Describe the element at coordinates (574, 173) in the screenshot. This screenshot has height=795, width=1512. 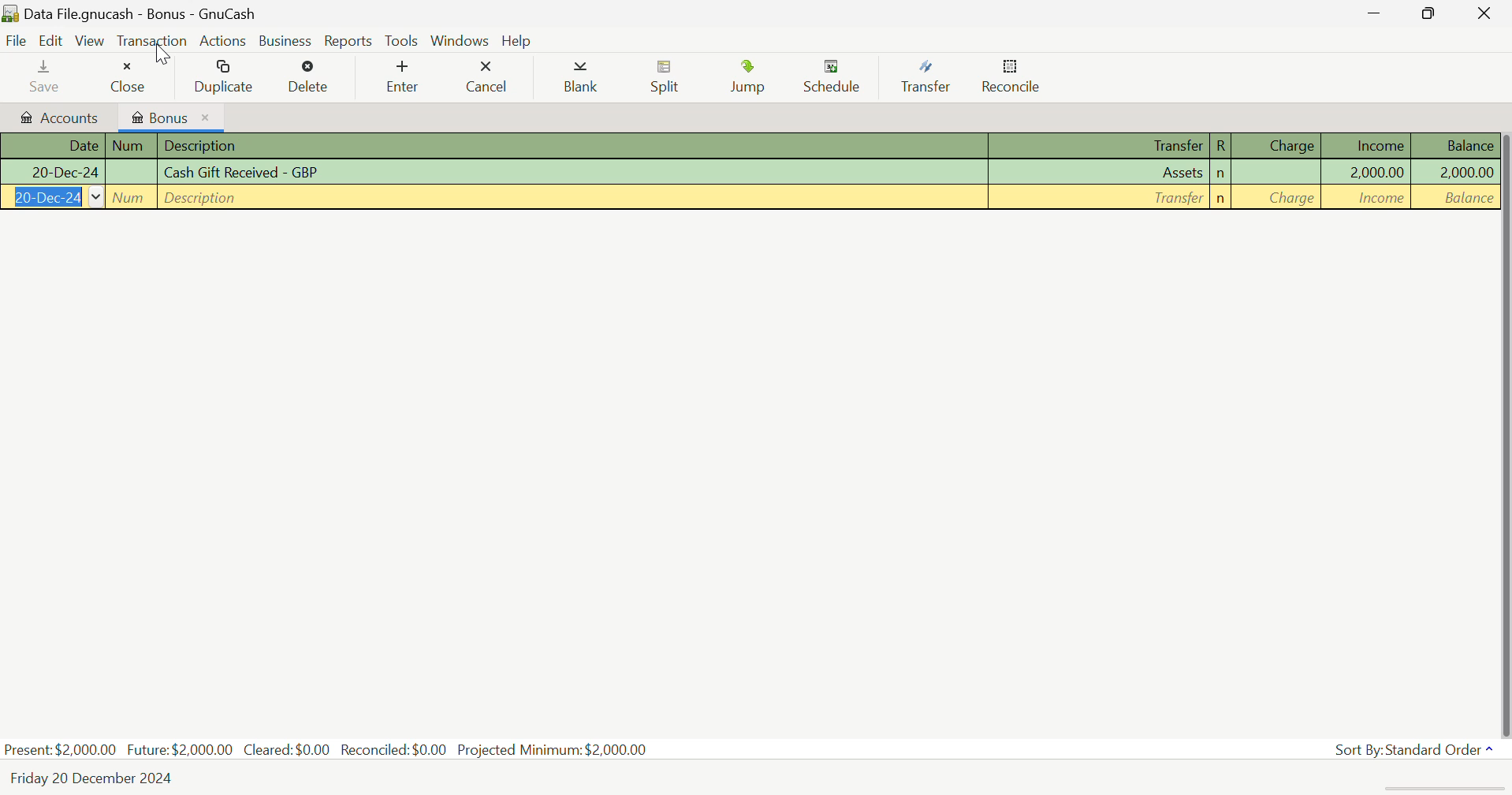
I see `Cash Received` at that location.